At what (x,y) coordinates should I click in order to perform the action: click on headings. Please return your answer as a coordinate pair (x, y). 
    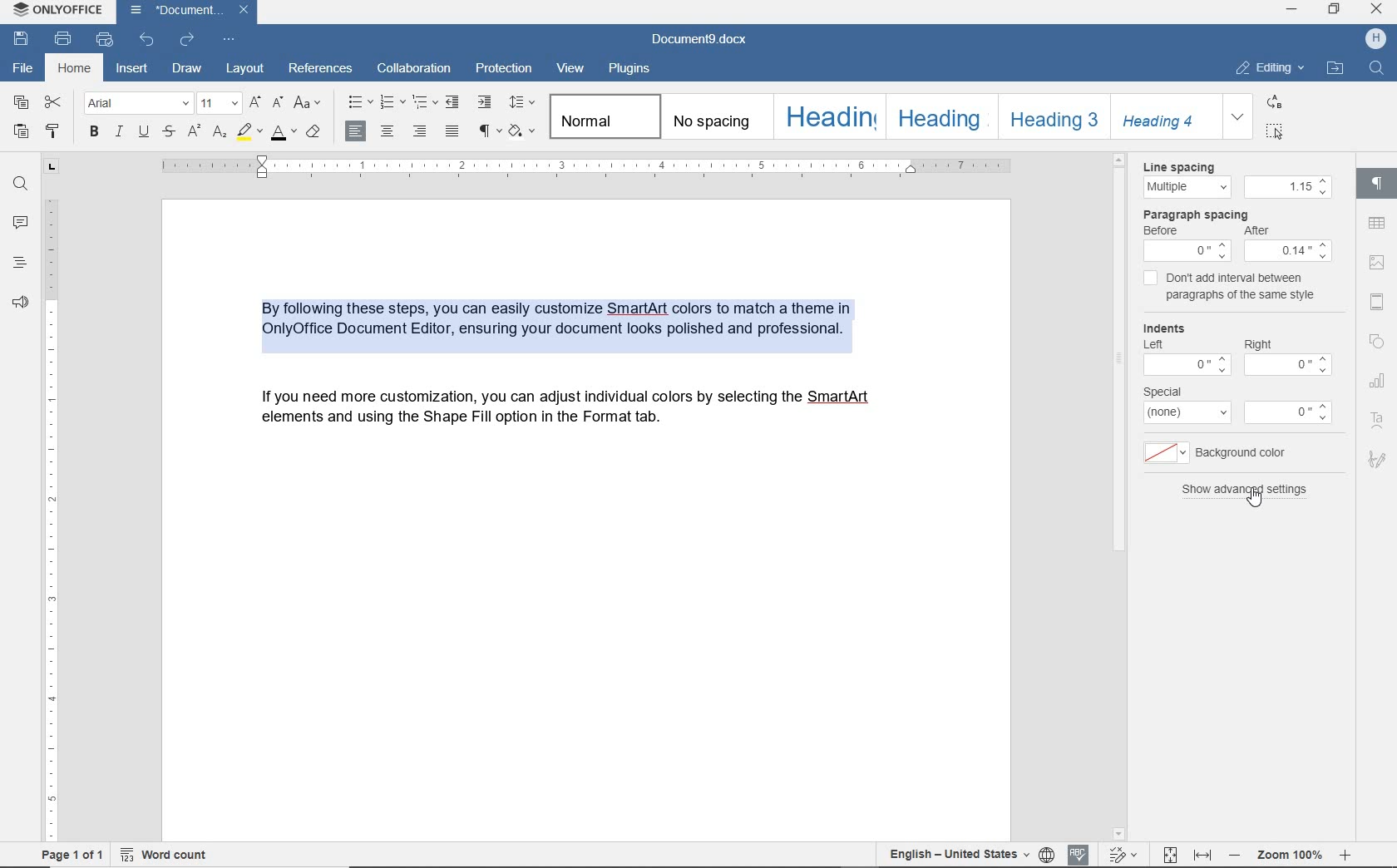
    Looking at the image, I should click on (20, 264).